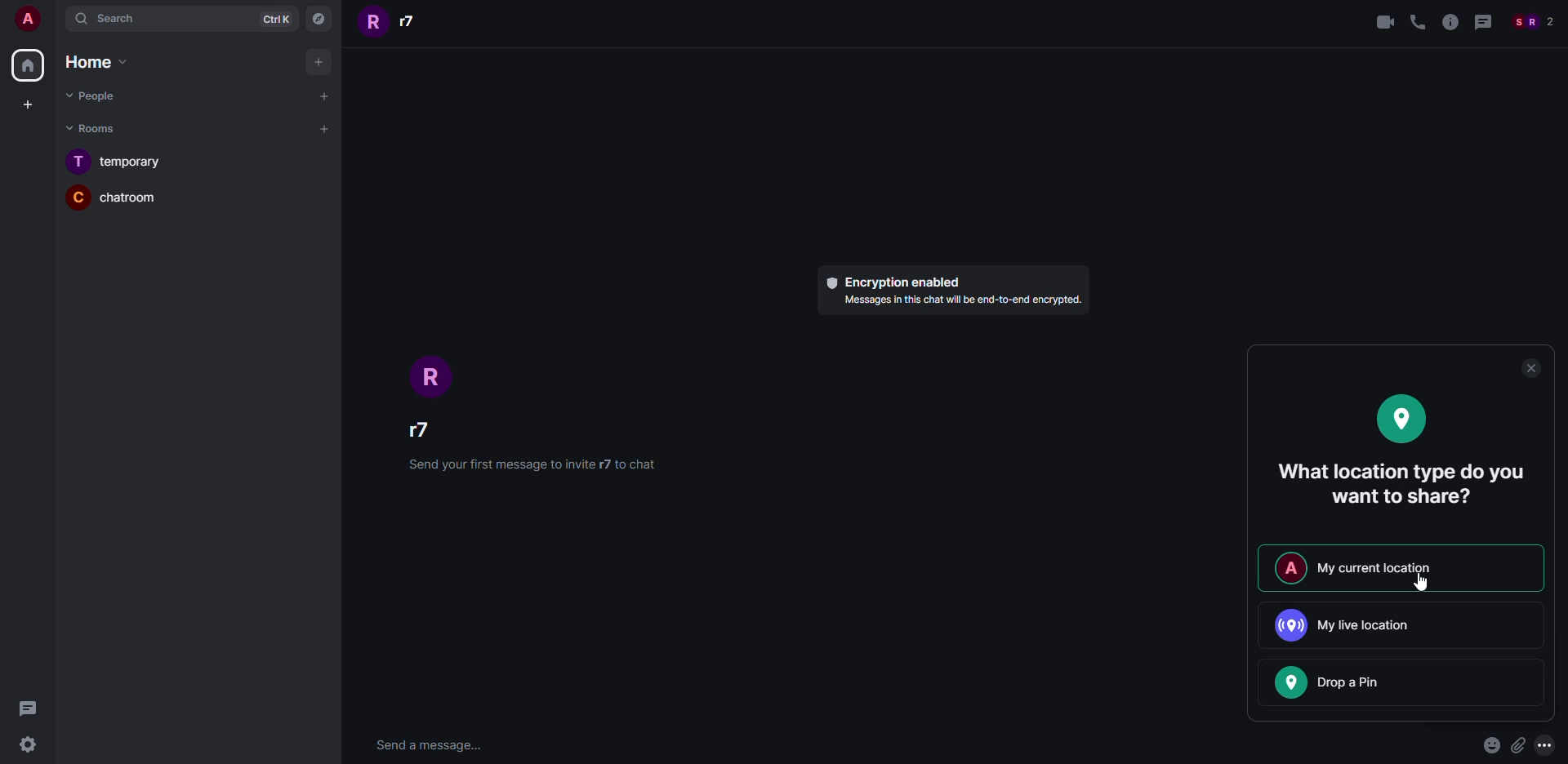 The width and height of the screenshot is (1568, 764). What do you see at coordinates (1489, 746) in the screenshot?
I see `emoji` at bounding box center [1489, 746].